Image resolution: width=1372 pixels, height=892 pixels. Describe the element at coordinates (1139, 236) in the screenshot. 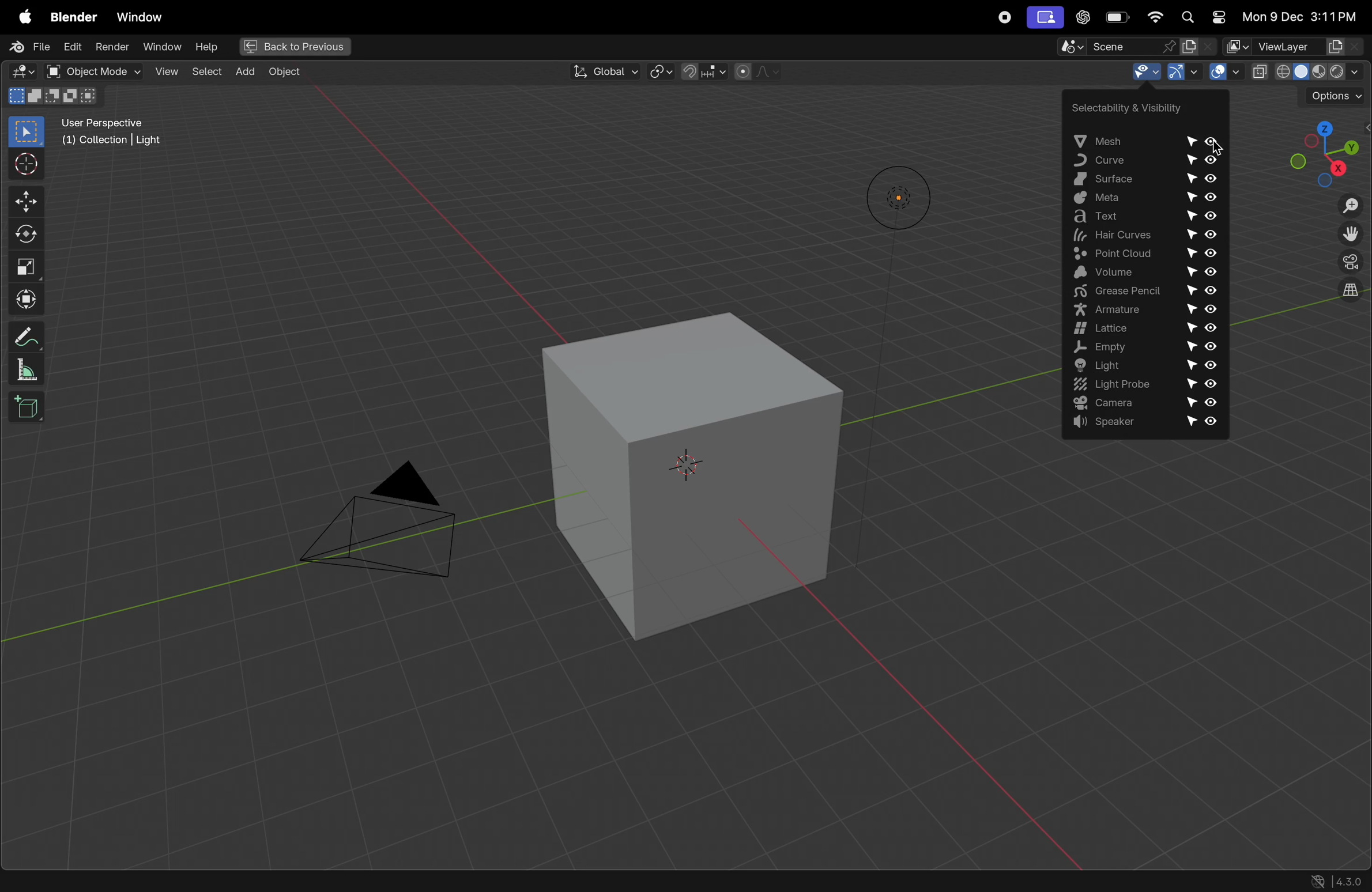

I see `hair curves` at that location.